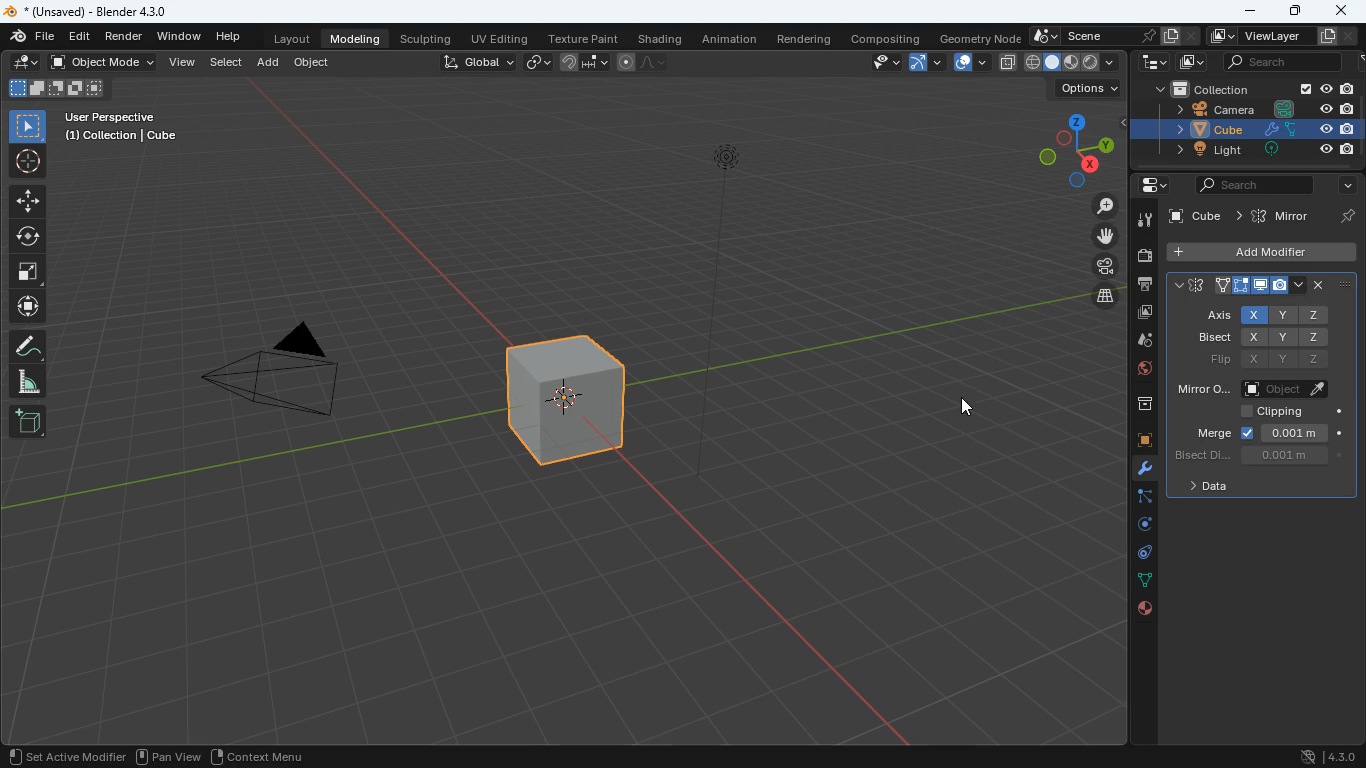 This screenshot has height=768, width=1366. What do you see at coordinates (1144, 222) in the screenshot?
I see `tools` at bounding box center [1144, 222].